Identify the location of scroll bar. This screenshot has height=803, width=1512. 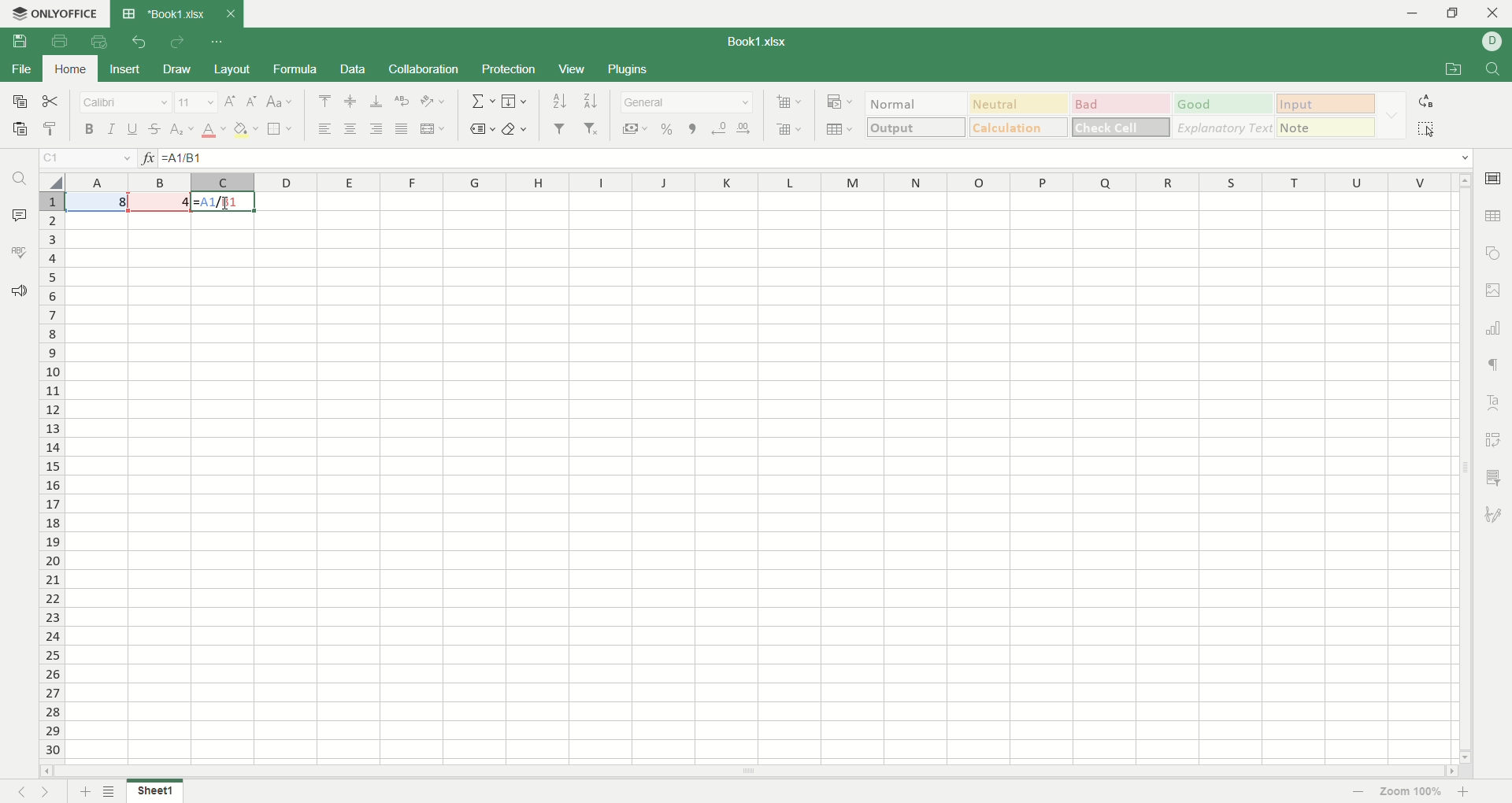
(1462, 467).